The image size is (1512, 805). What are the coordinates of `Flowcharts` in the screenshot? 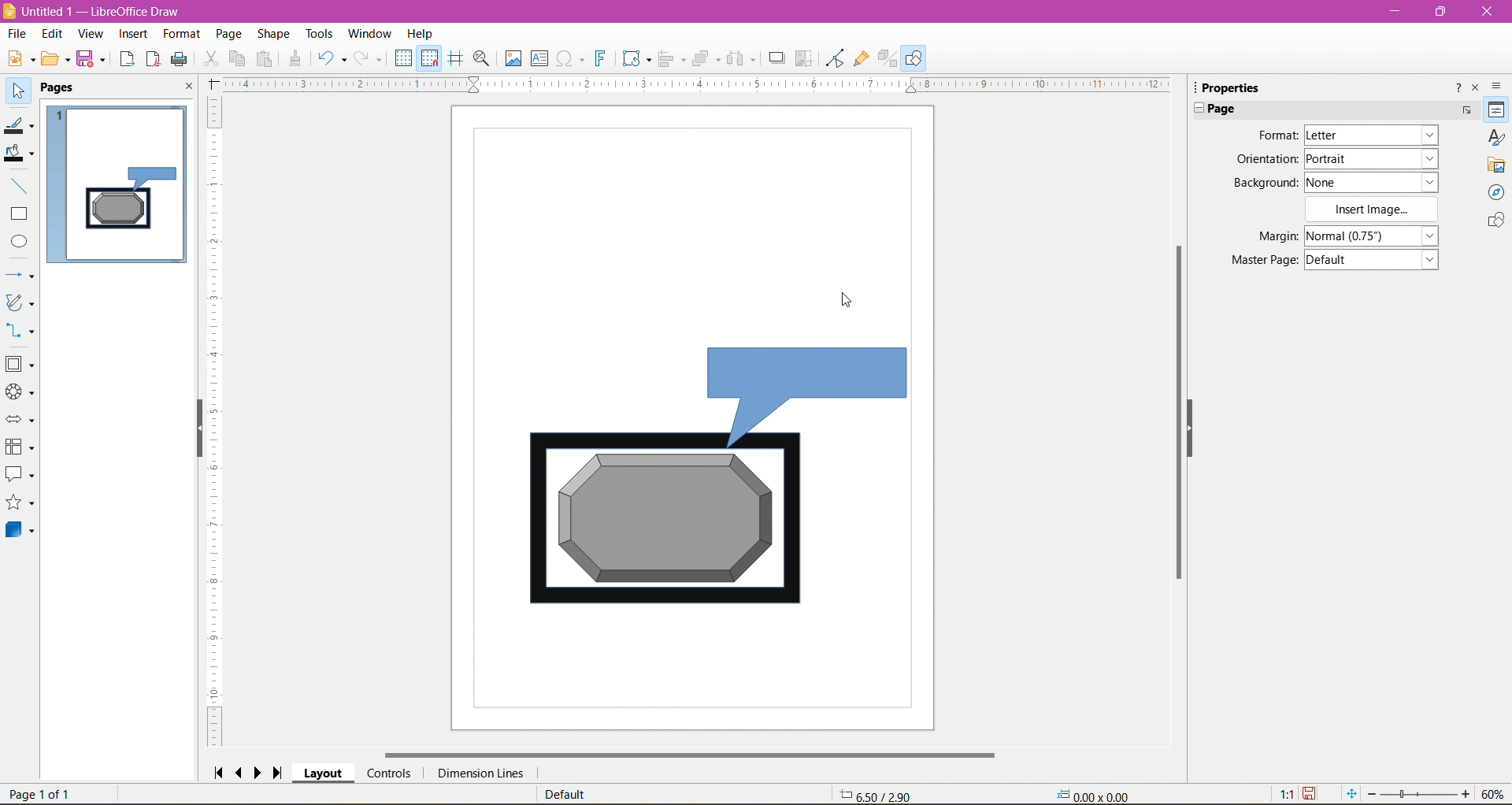 It's located at (20, 448).